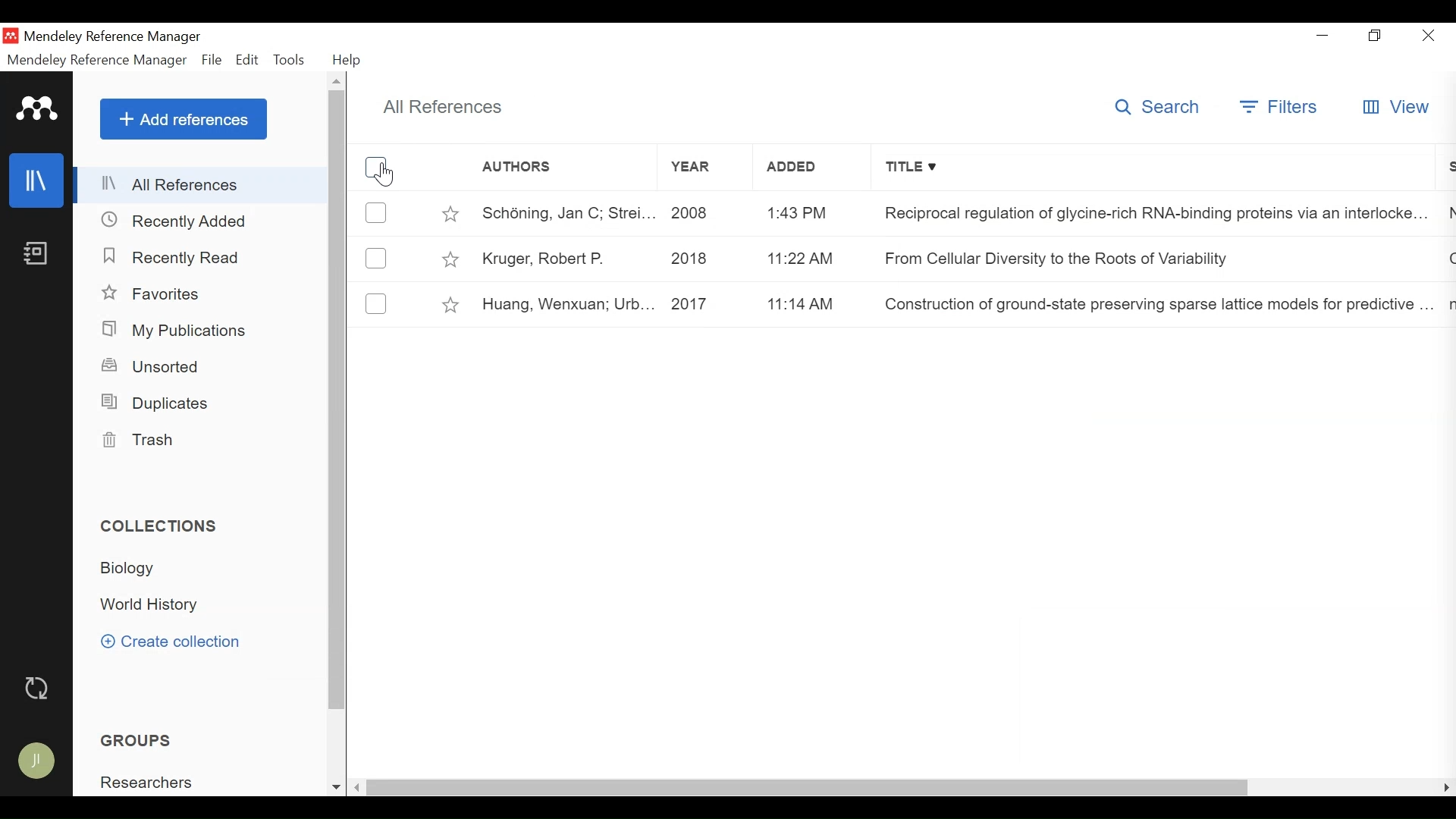  What do you see at coordinates (1445, 789) in the screenshot?
I see `Scroll Right` at bounding box center [1445, 789].